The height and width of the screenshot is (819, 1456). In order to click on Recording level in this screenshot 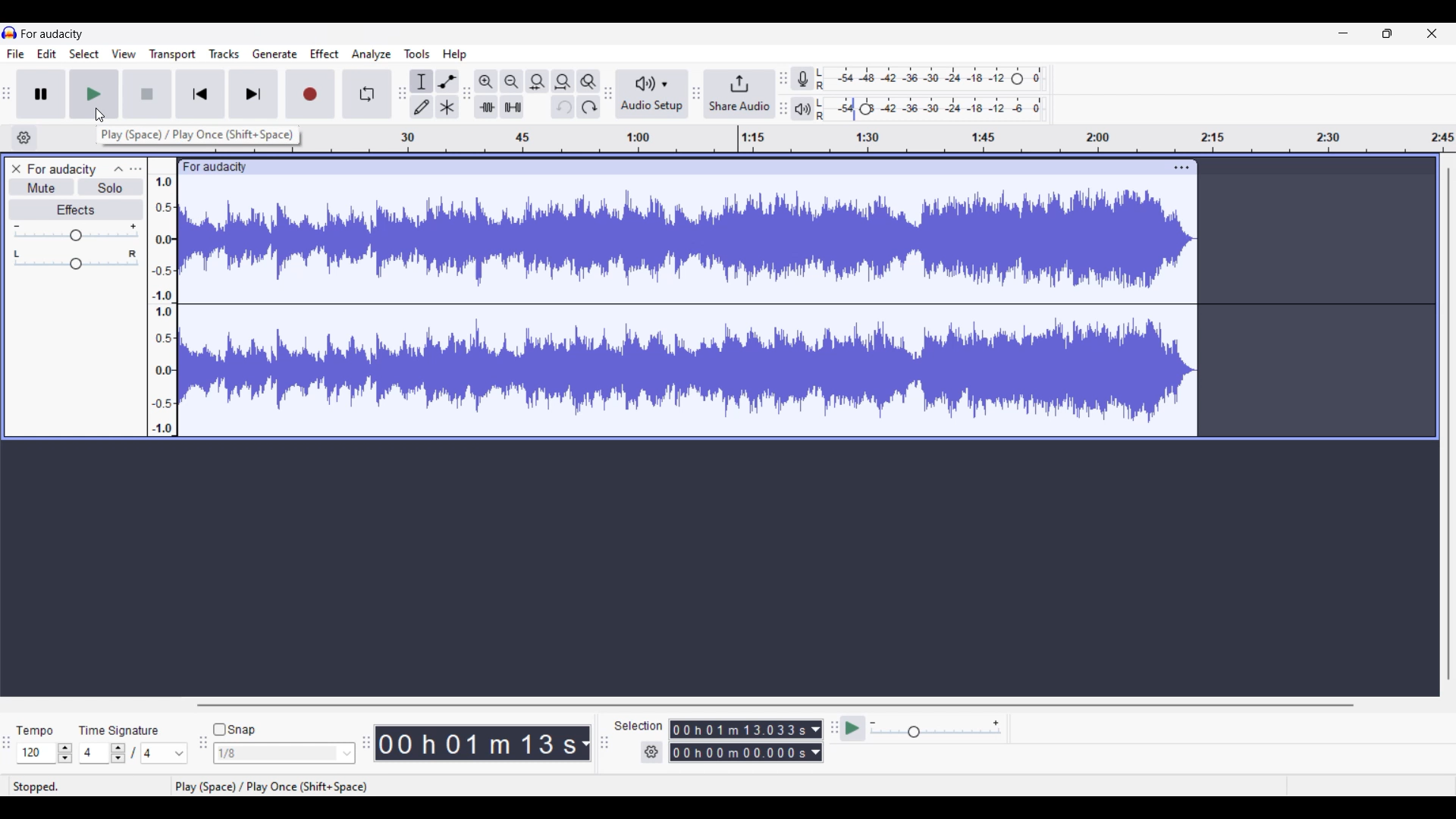, I will do `click(930, 79)`.